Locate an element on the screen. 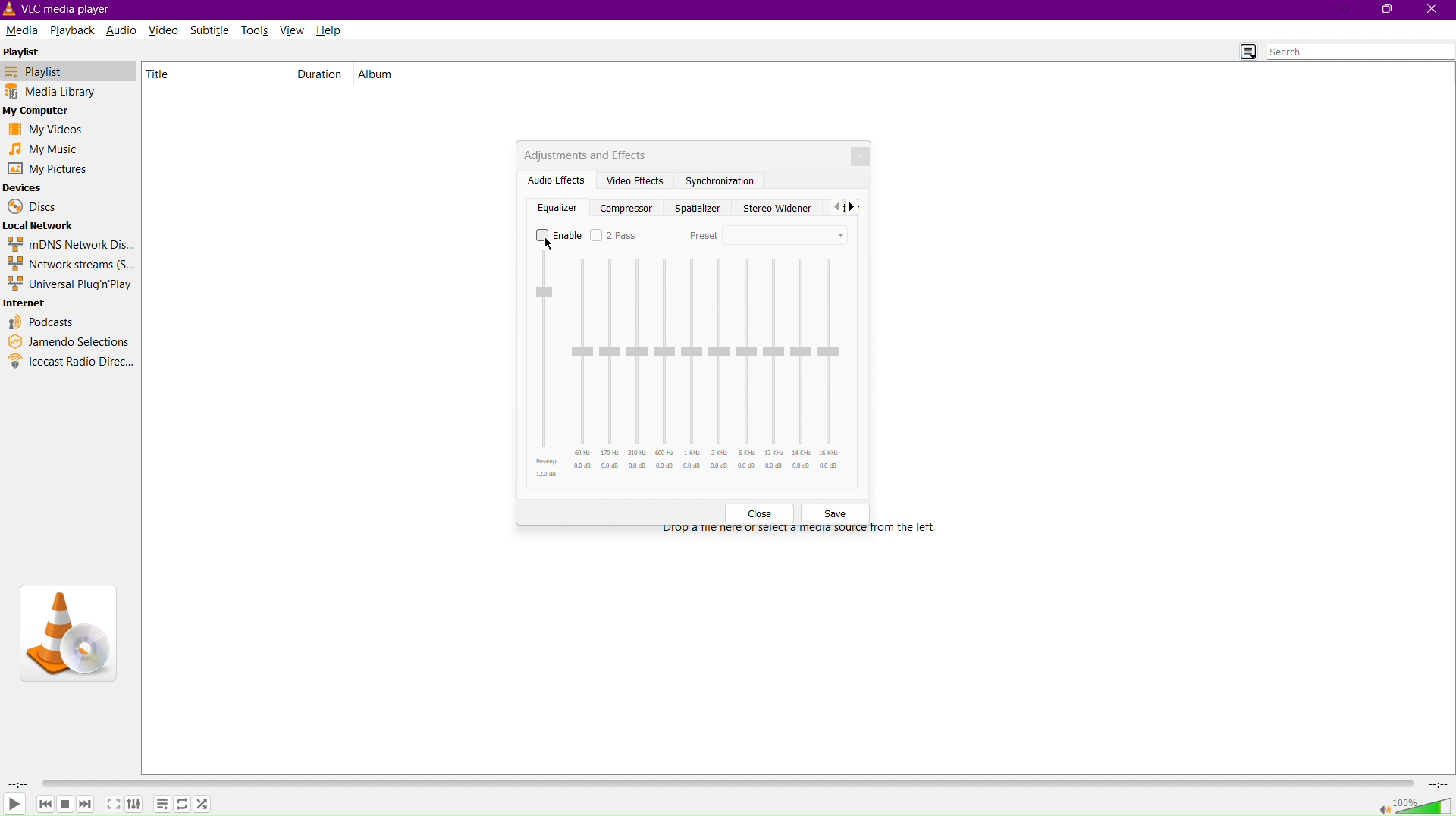  Save is located at coordinates (836, 513).